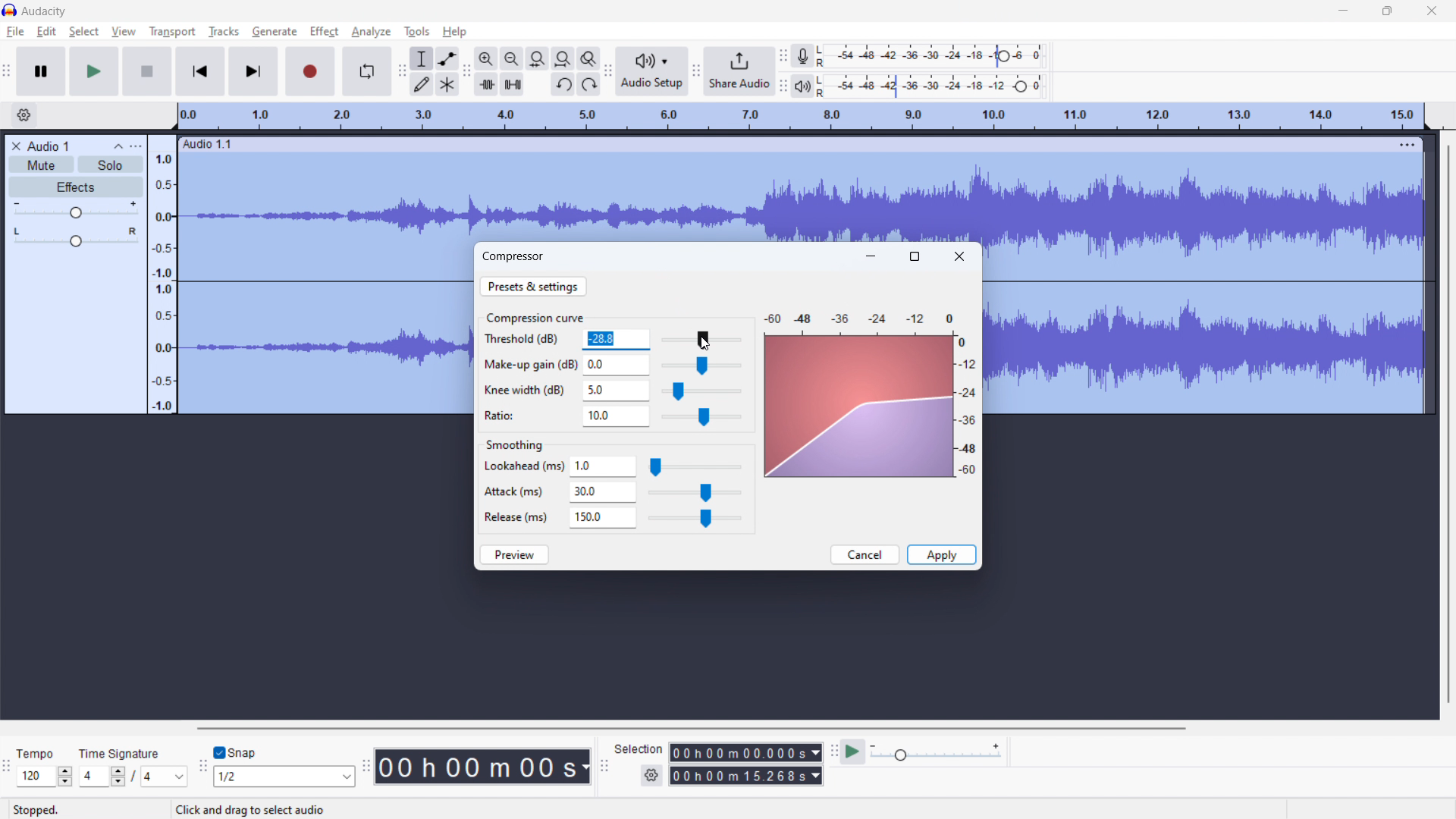 Image resolution: width=1456 pixels, height=819 pixels. Describe the element at coordinates (75, 187) in the screenshot. I see `effects` at that location.